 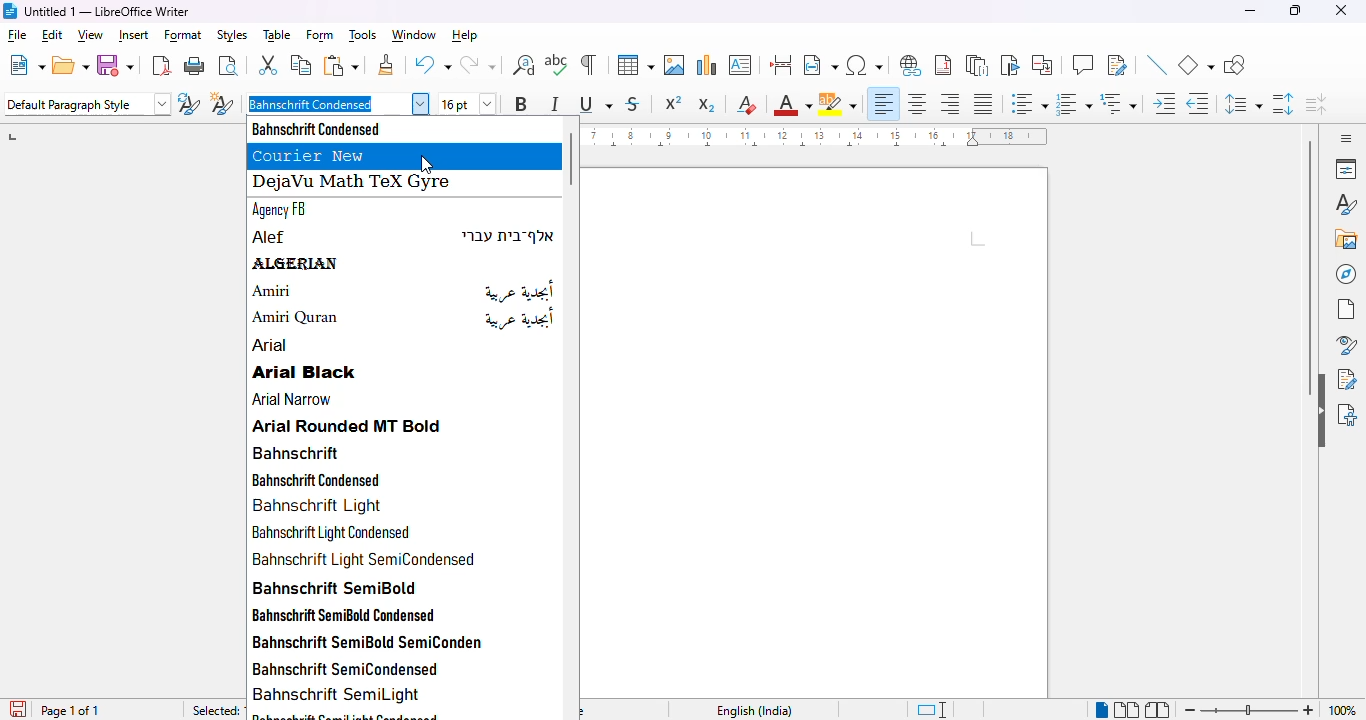 I want to click on basic shapes, so click(x=1196, y=64).